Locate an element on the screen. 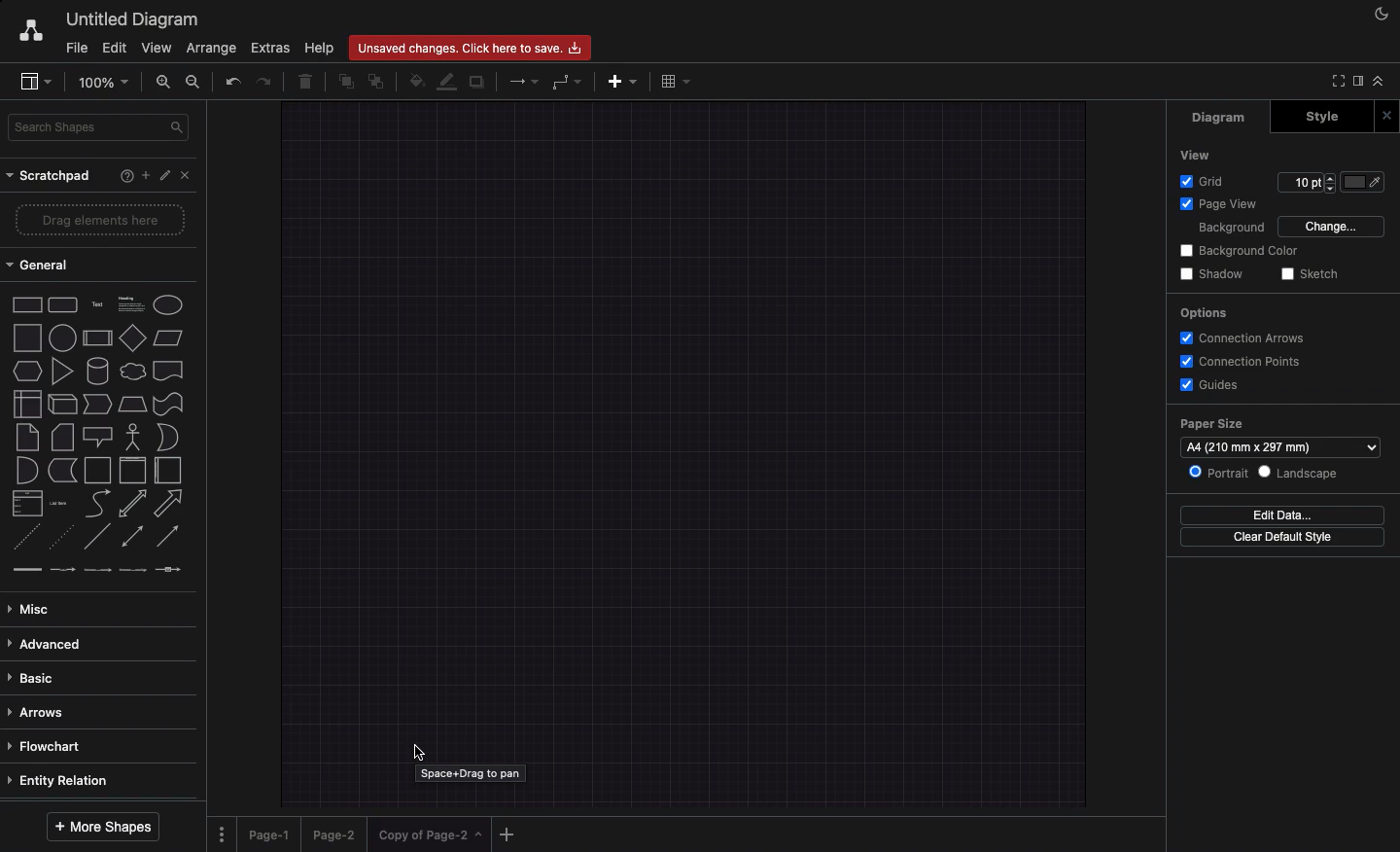 The image size is (1400, 852). Edit data is located at coordinates (1277, 514).